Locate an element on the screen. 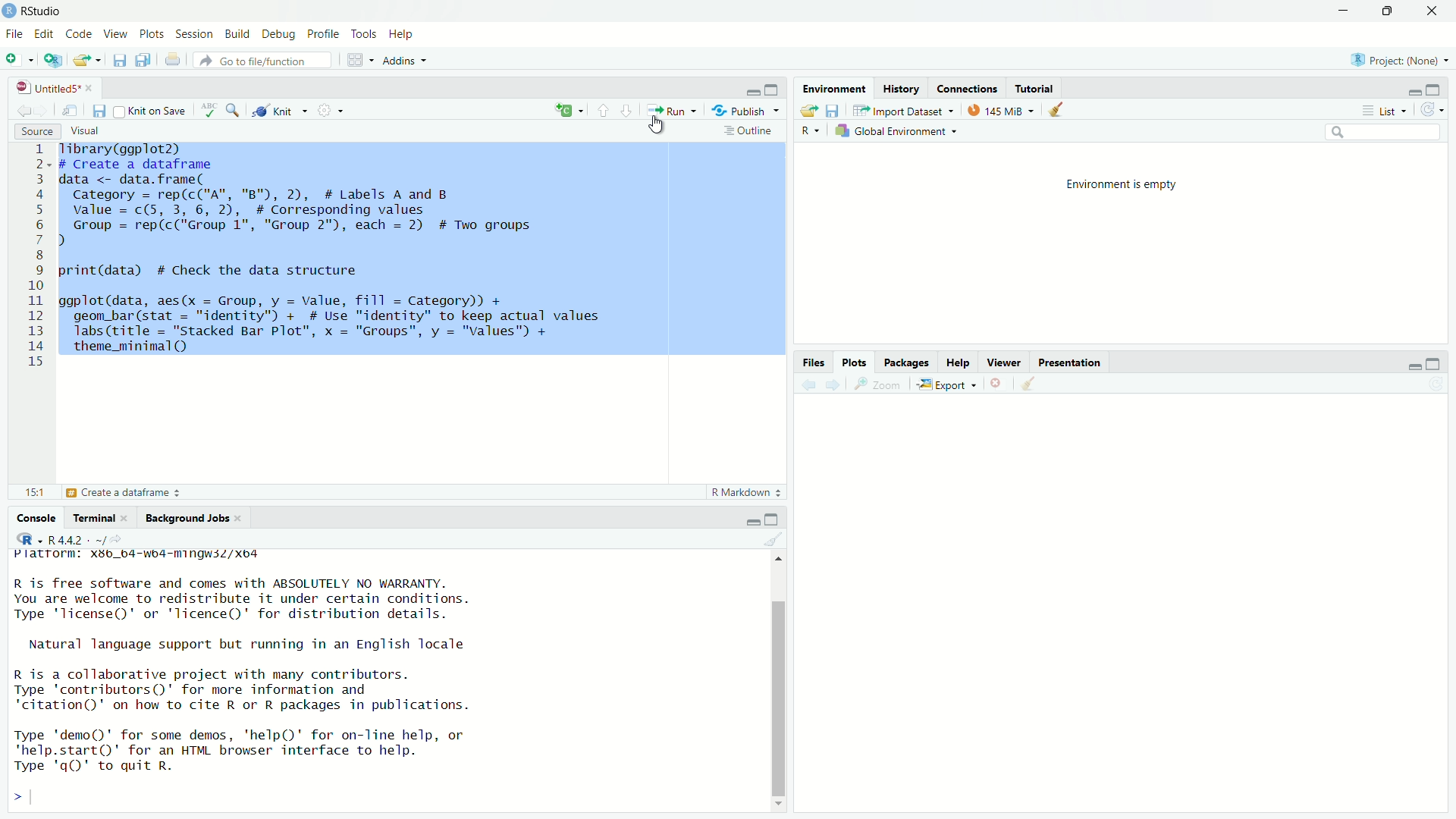 The image size is (1456, 819). Save current document (Ctrl + S) is located at coordinates (99, 109).